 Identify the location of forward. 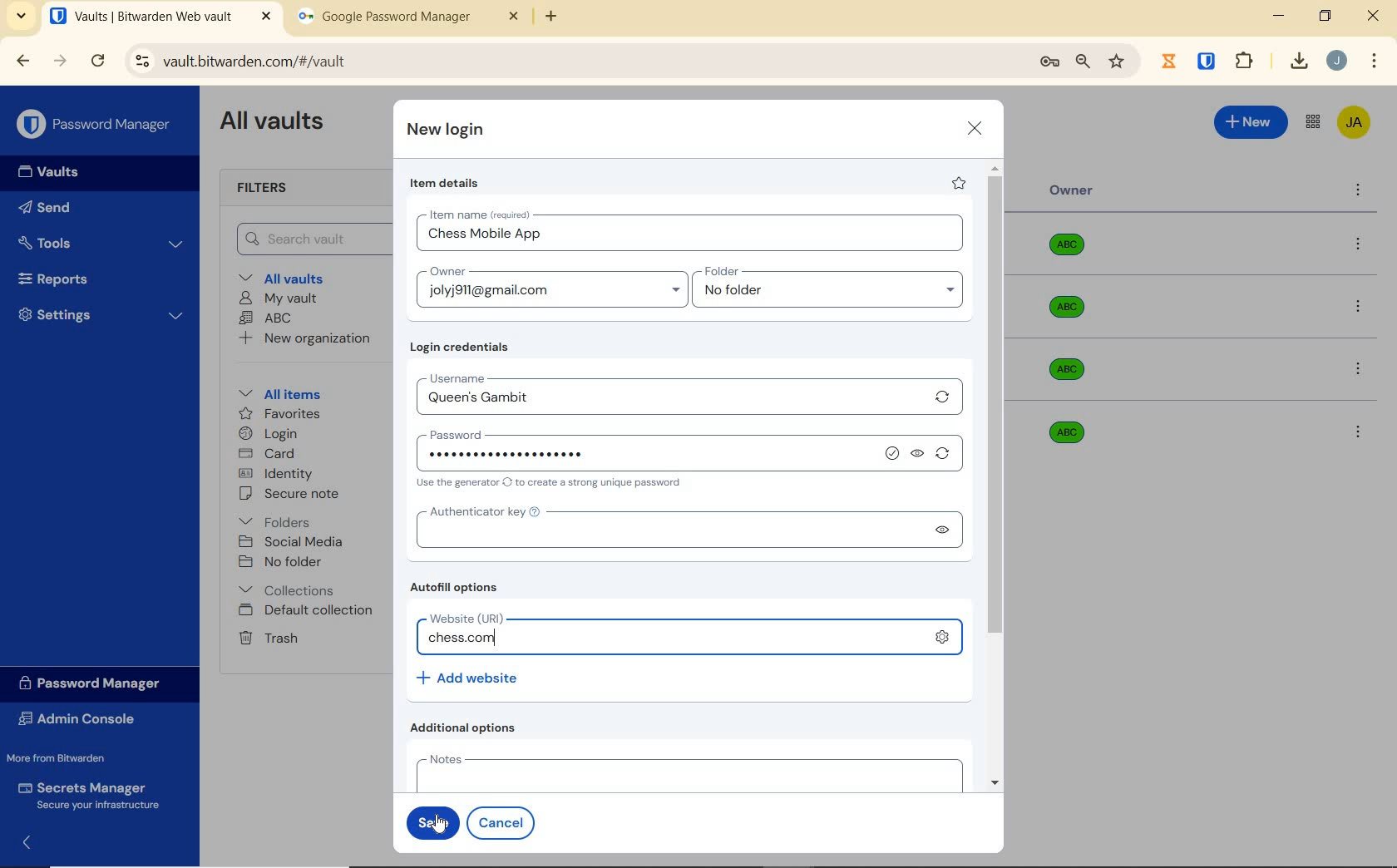
(61, 61).